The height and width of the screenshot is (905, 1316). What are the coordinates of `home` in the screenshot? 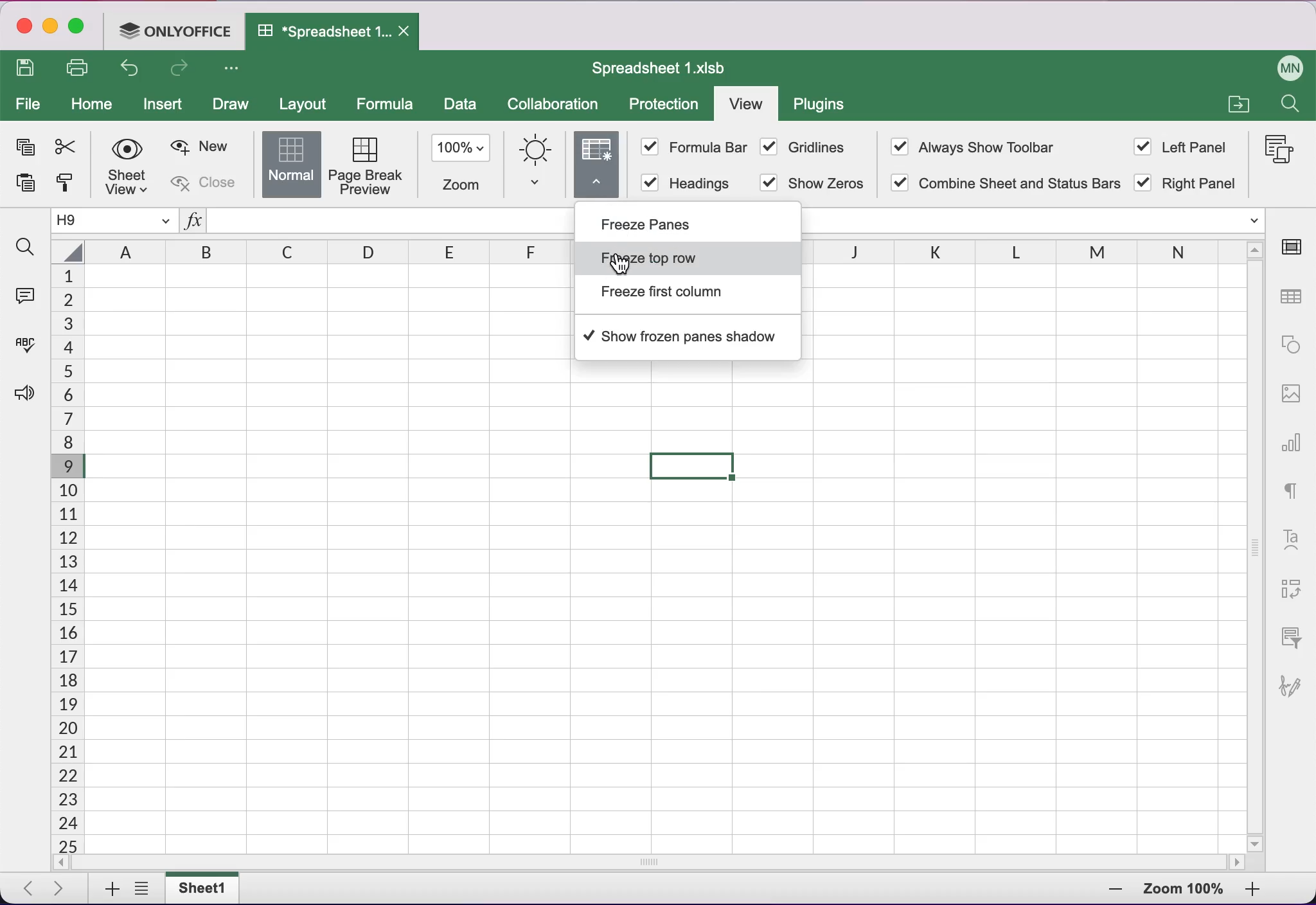 It's located at (92, 103).